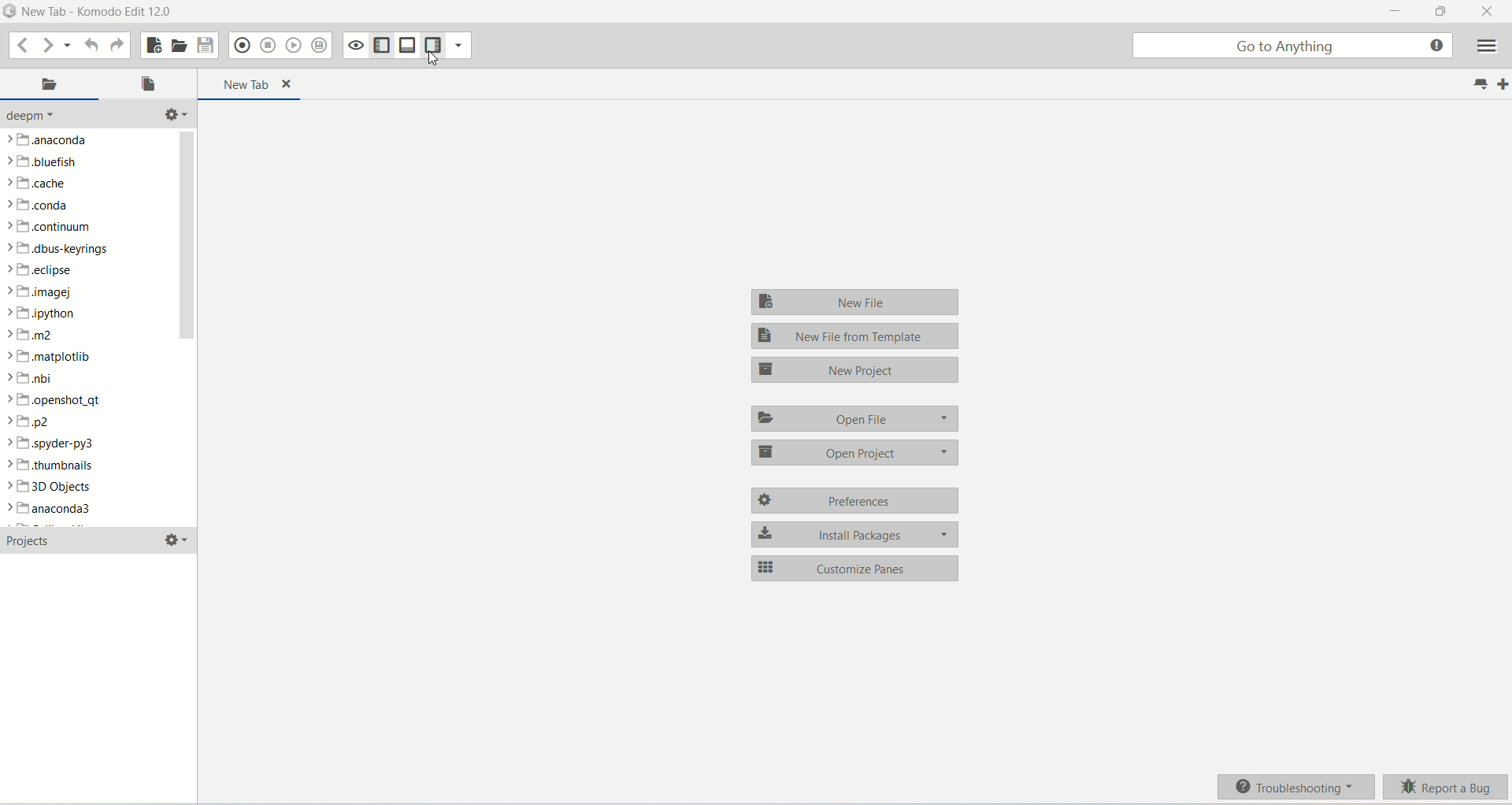 The width and height of the screenshot is (1512, 805). What do you see at coordinates (151, 45) in the screenshot?
I see `new file` at bounding box center [151, 45].